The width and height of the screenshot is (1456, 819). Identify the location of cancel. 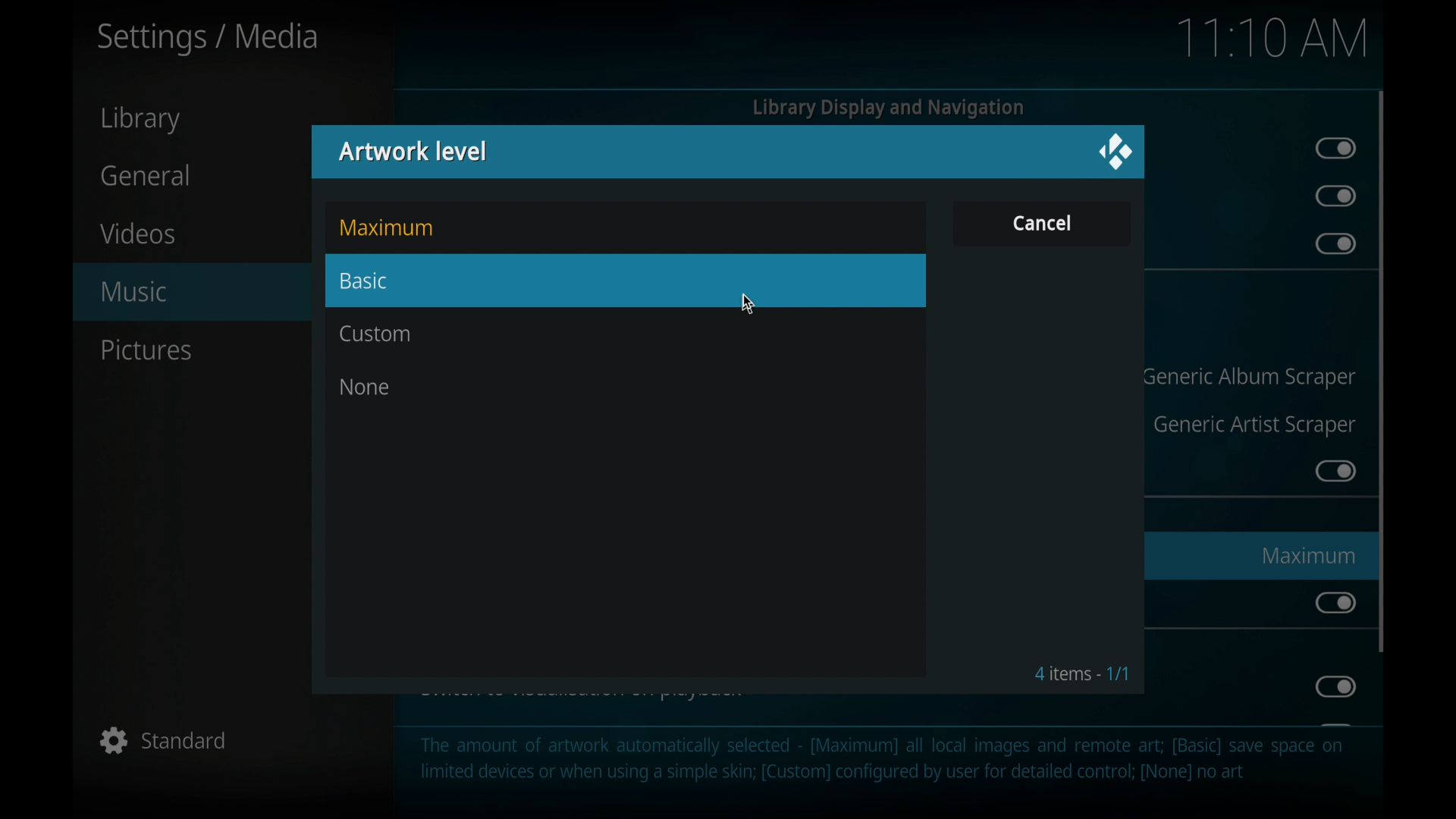
(1041, 222).